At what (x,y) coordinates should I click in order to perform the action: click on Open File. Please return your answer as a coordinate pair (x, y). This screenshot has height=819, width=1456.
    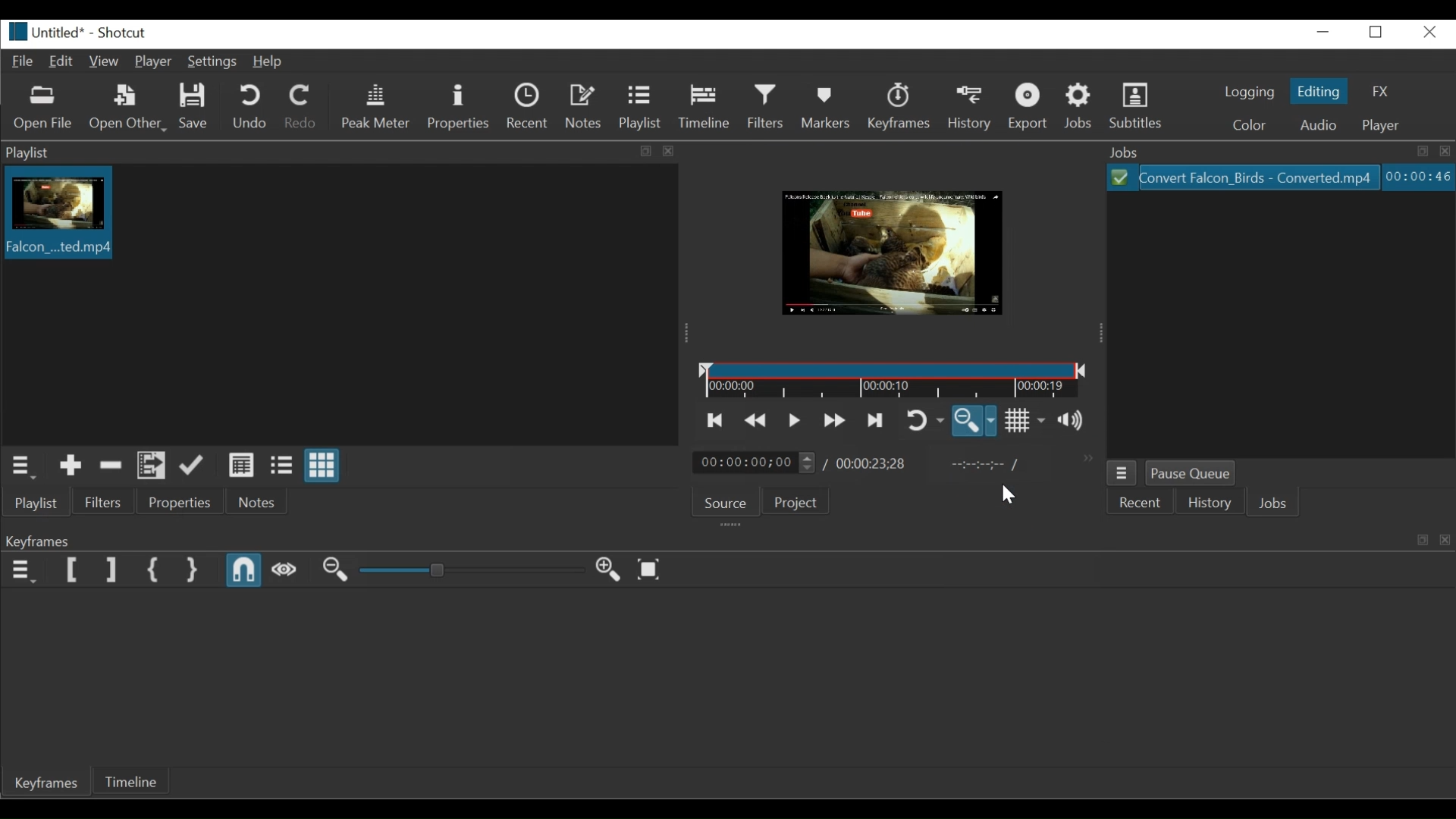
    Looking at the image, I should click on (44, 108).